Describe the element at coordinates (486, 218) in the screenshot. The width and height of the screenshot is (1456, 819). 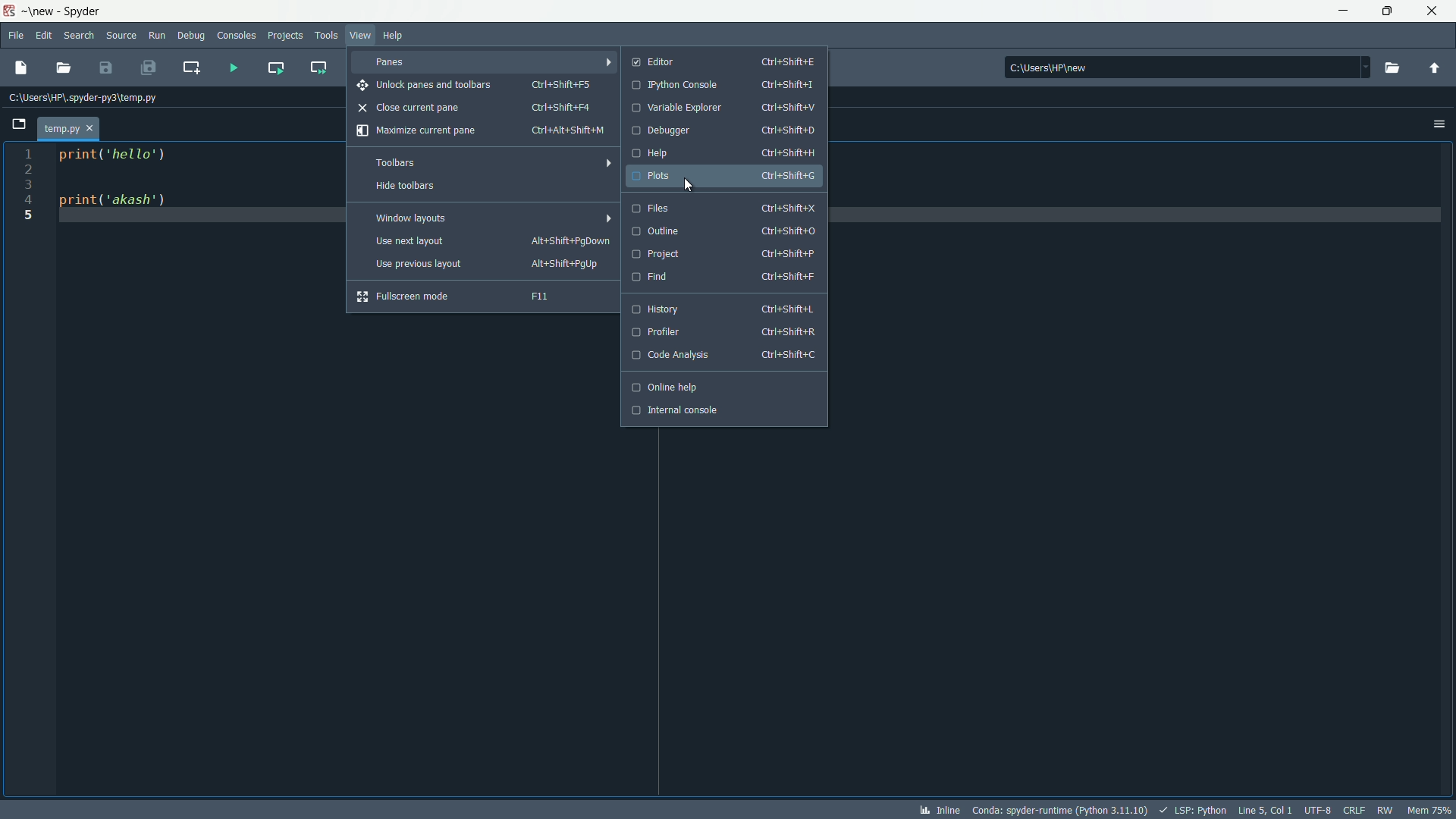
I see `window layouts` at that location.